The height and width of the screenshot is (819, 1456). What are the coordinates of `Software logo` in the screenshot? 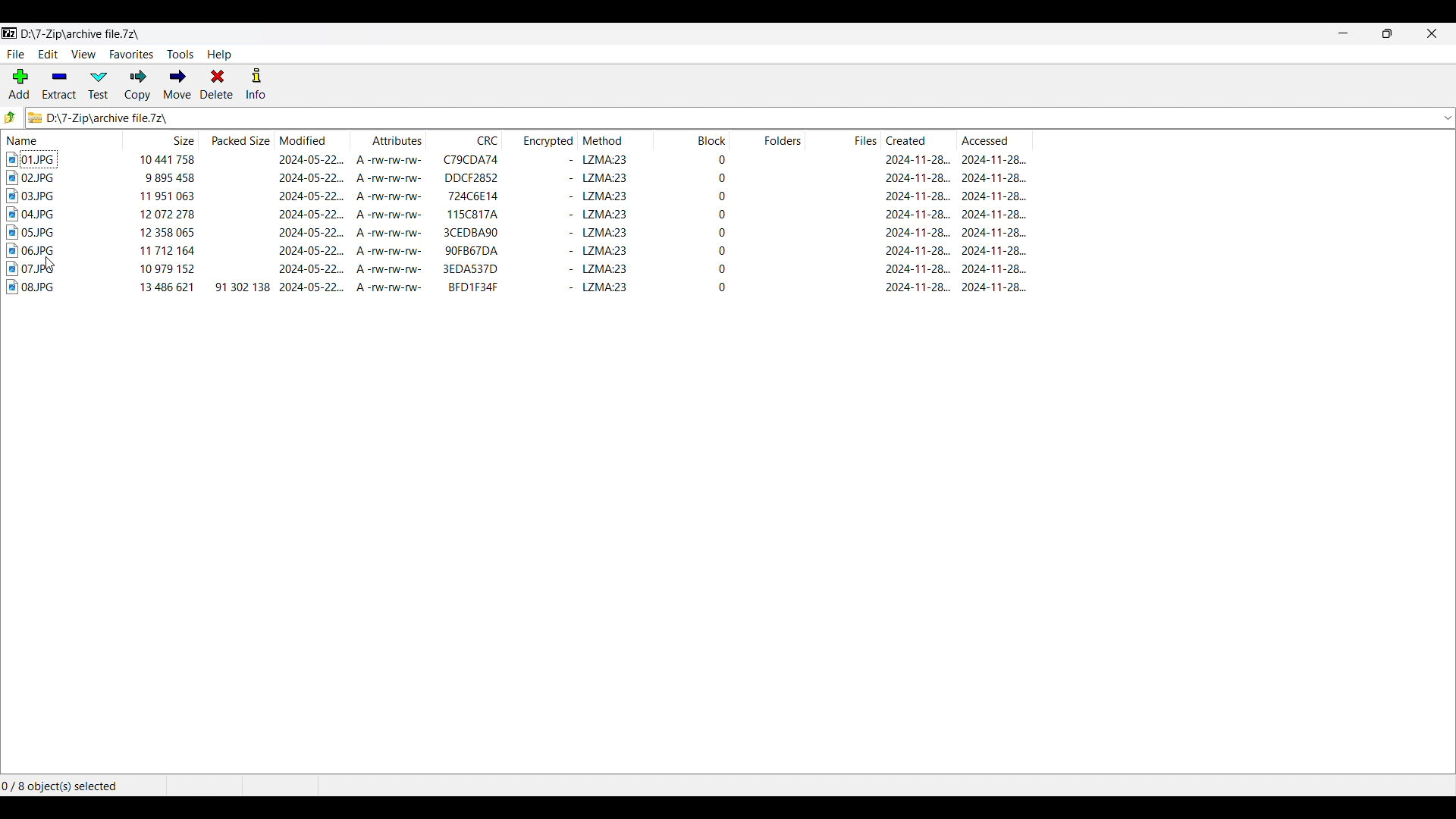 It's located at (10, 33).